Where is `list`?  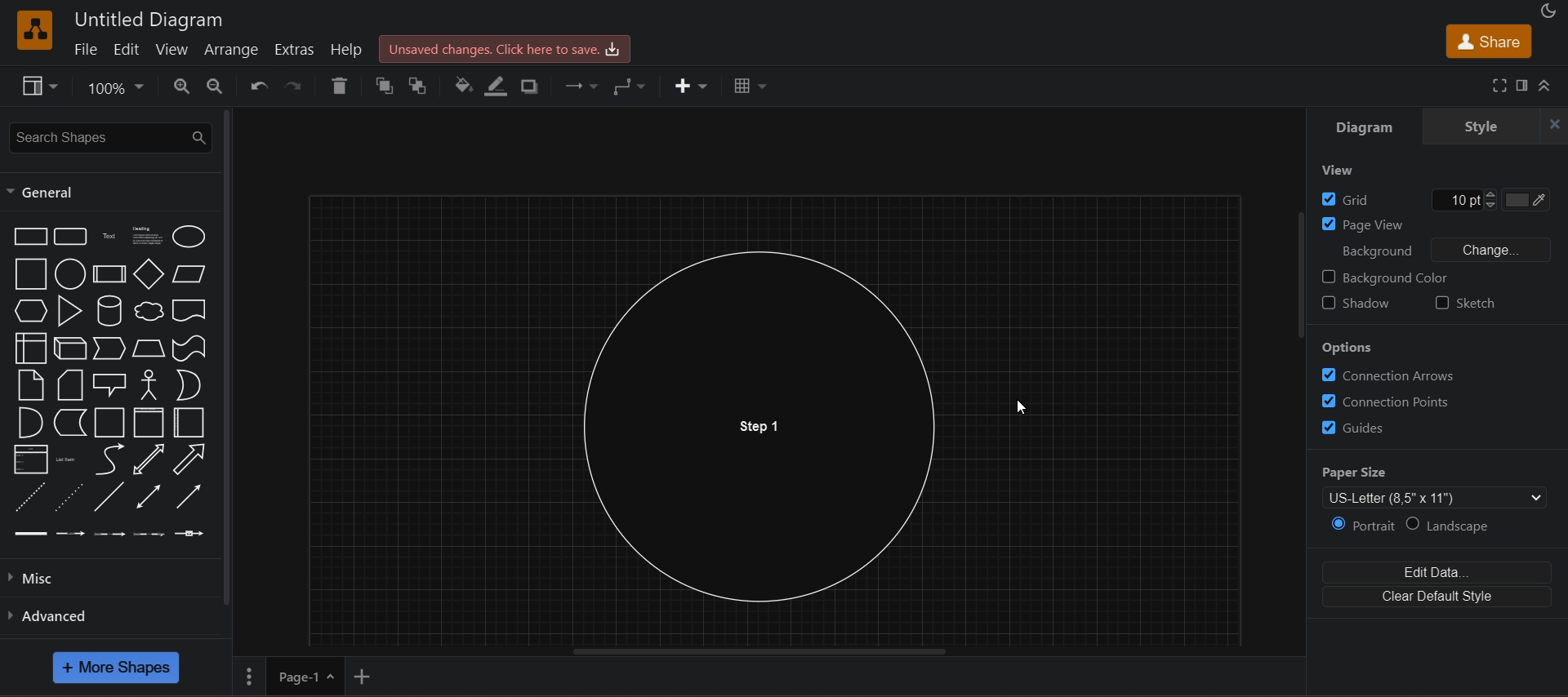
list is located at coordinates (29, 458).